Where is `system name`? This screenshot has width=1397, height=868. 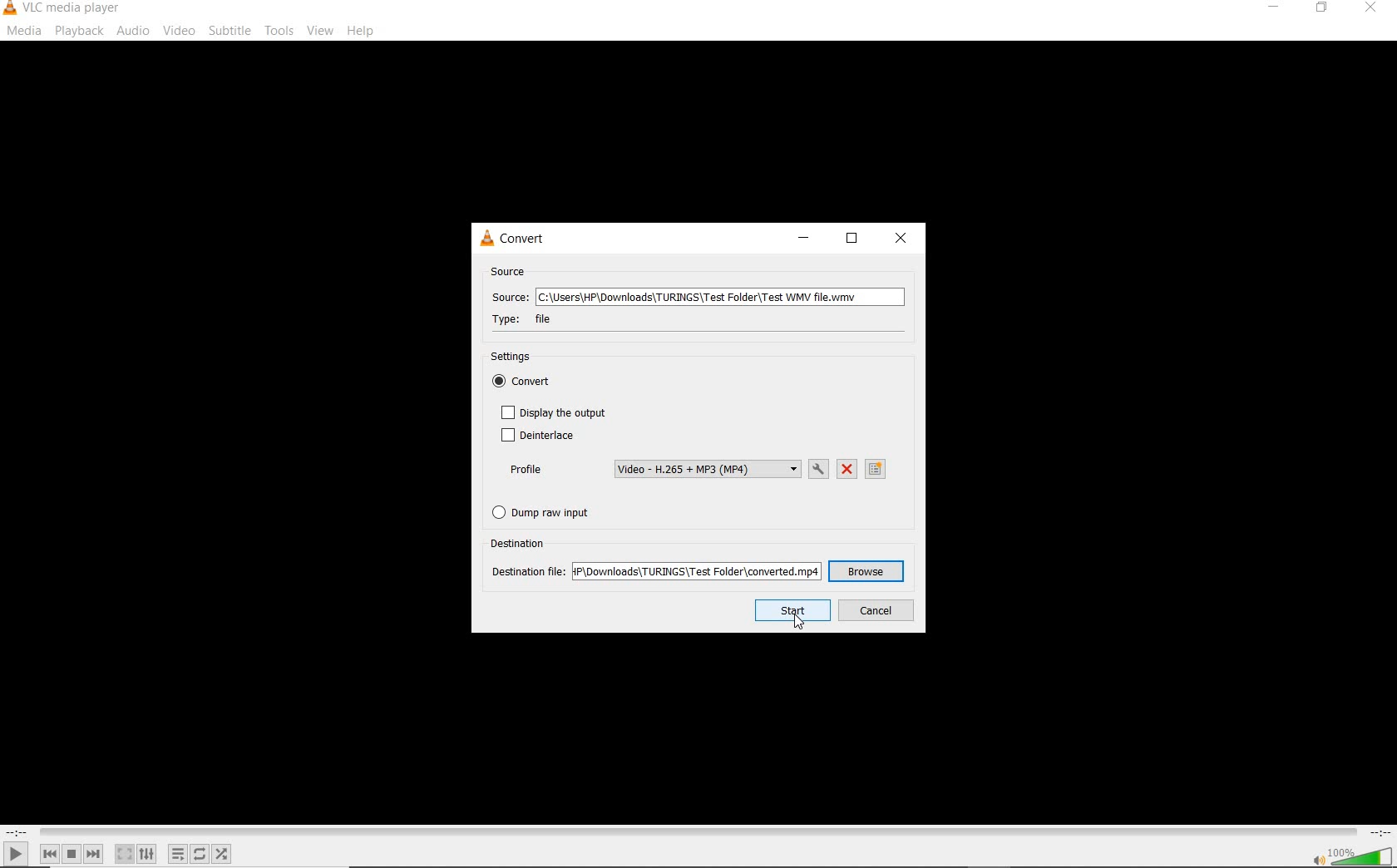 system name is located at coordinates (63, 9).